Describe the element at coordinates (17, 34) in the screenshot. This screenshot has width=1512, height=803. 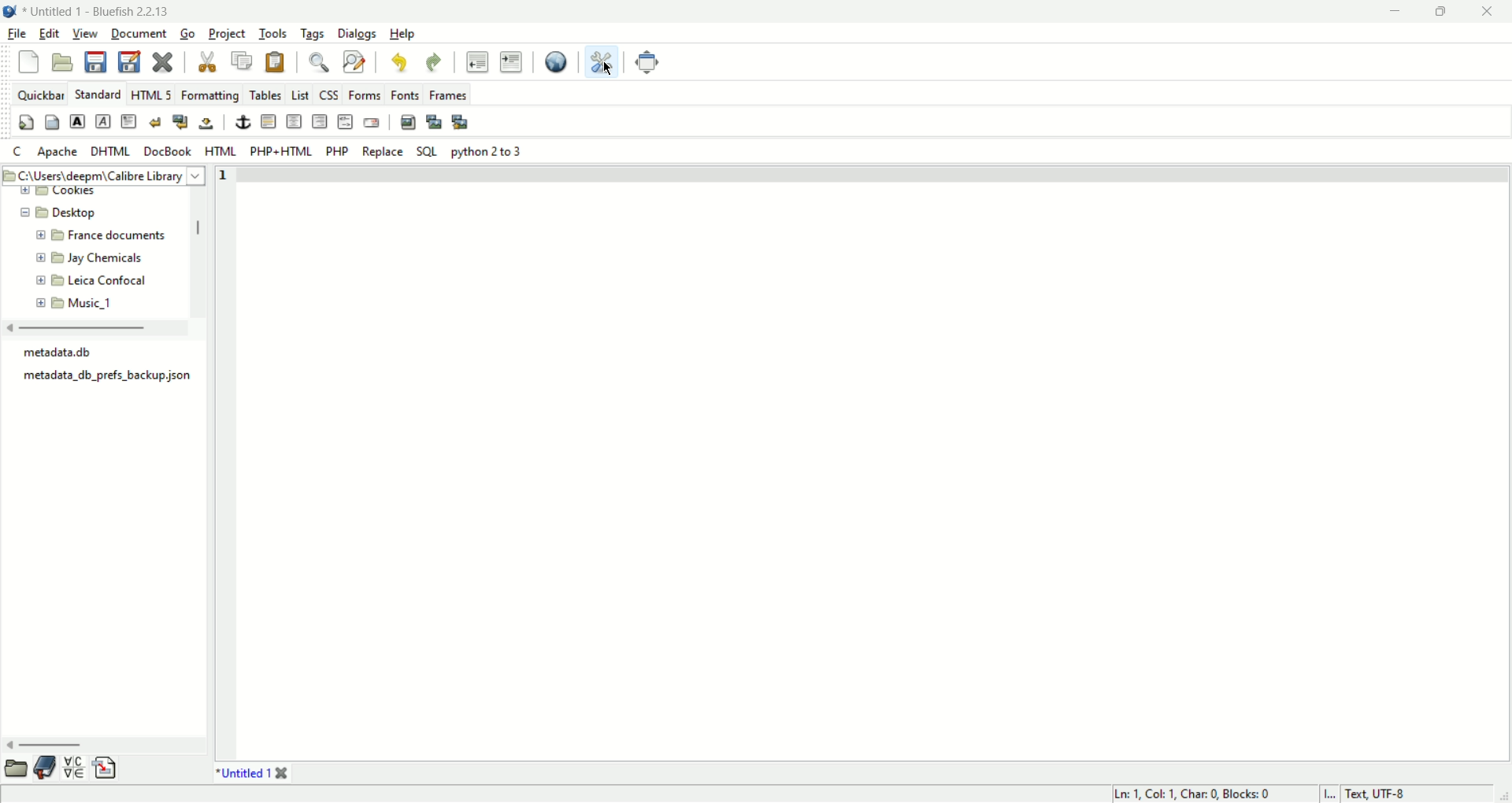
I see `file` at that location.